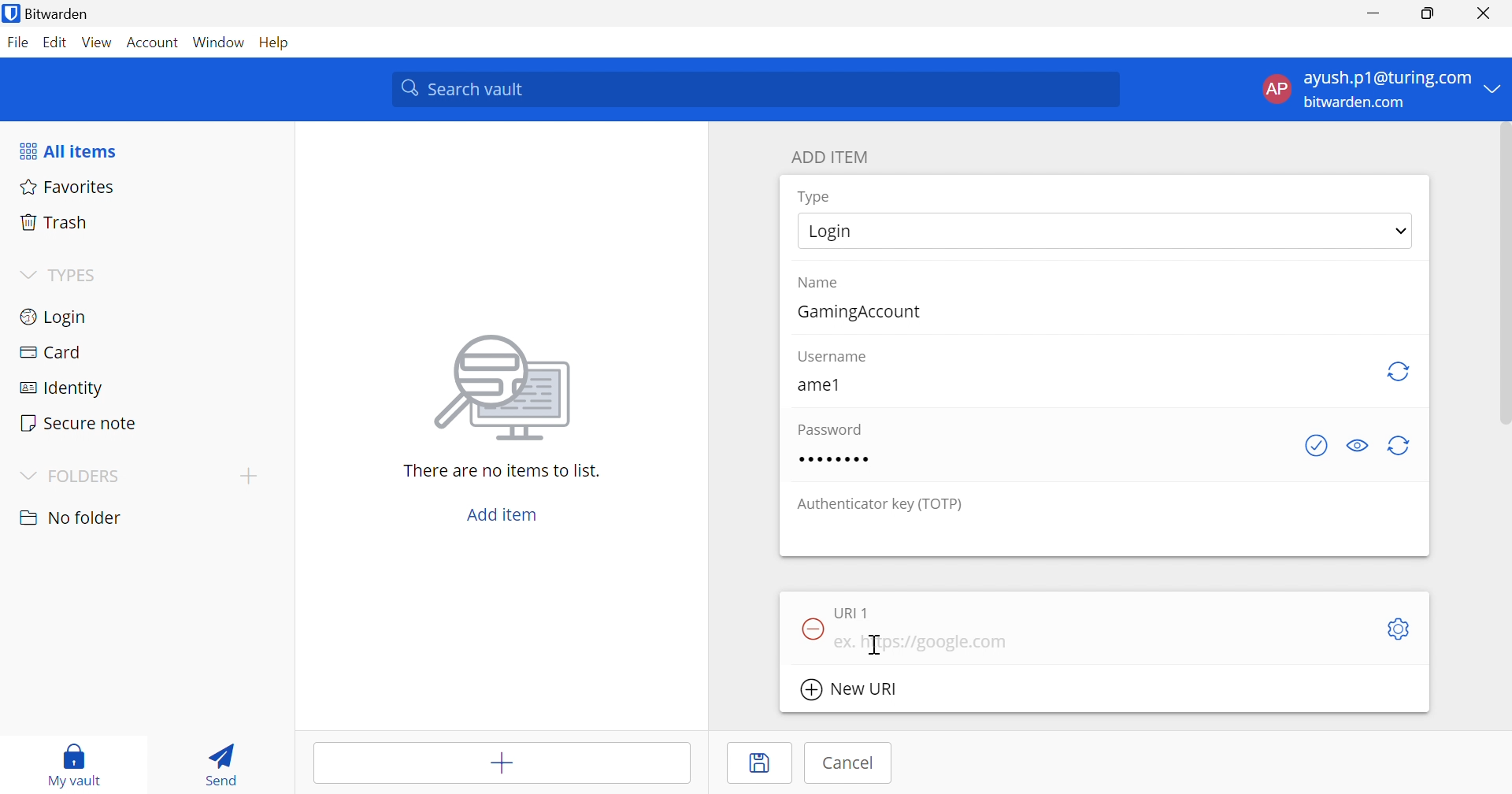 This screenshot has height=794, width=1512. What do you see at coordinates (273, 43) in the screenshot?
I see `Help` at bounding box center [273, 43].